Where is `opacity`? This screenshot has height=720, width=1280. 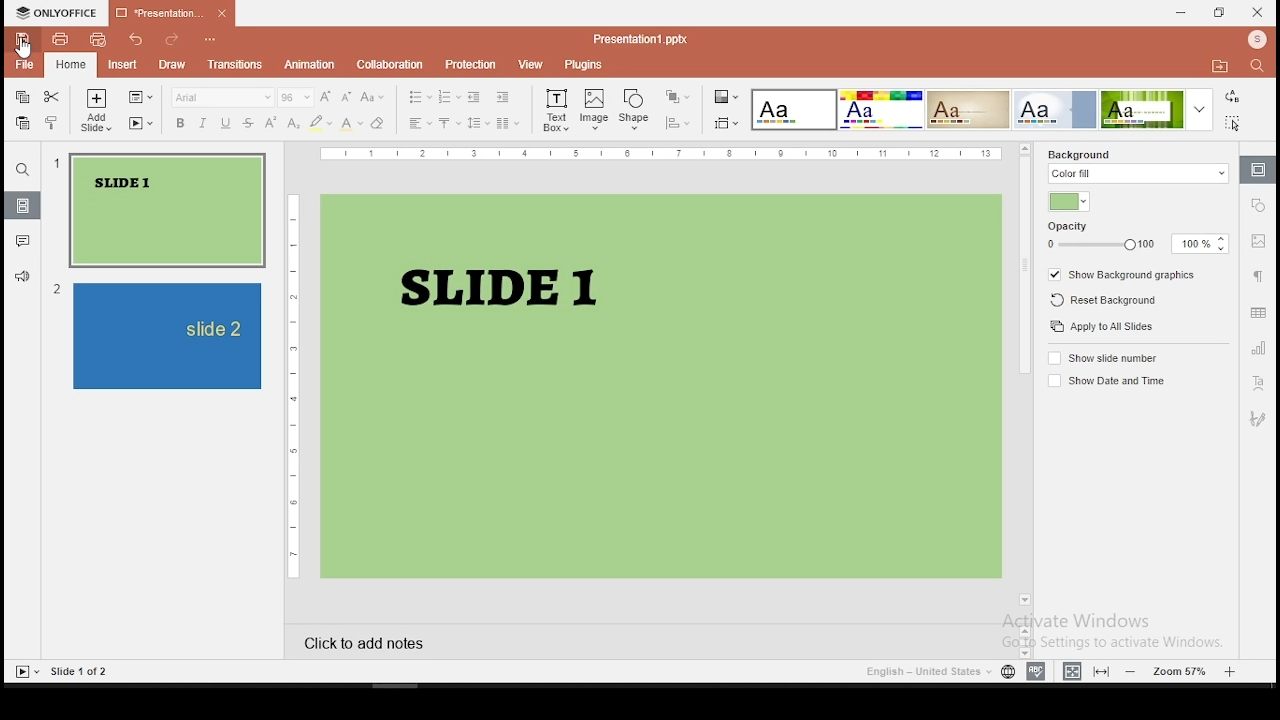
opacity is located at coordinates (1069, 227).